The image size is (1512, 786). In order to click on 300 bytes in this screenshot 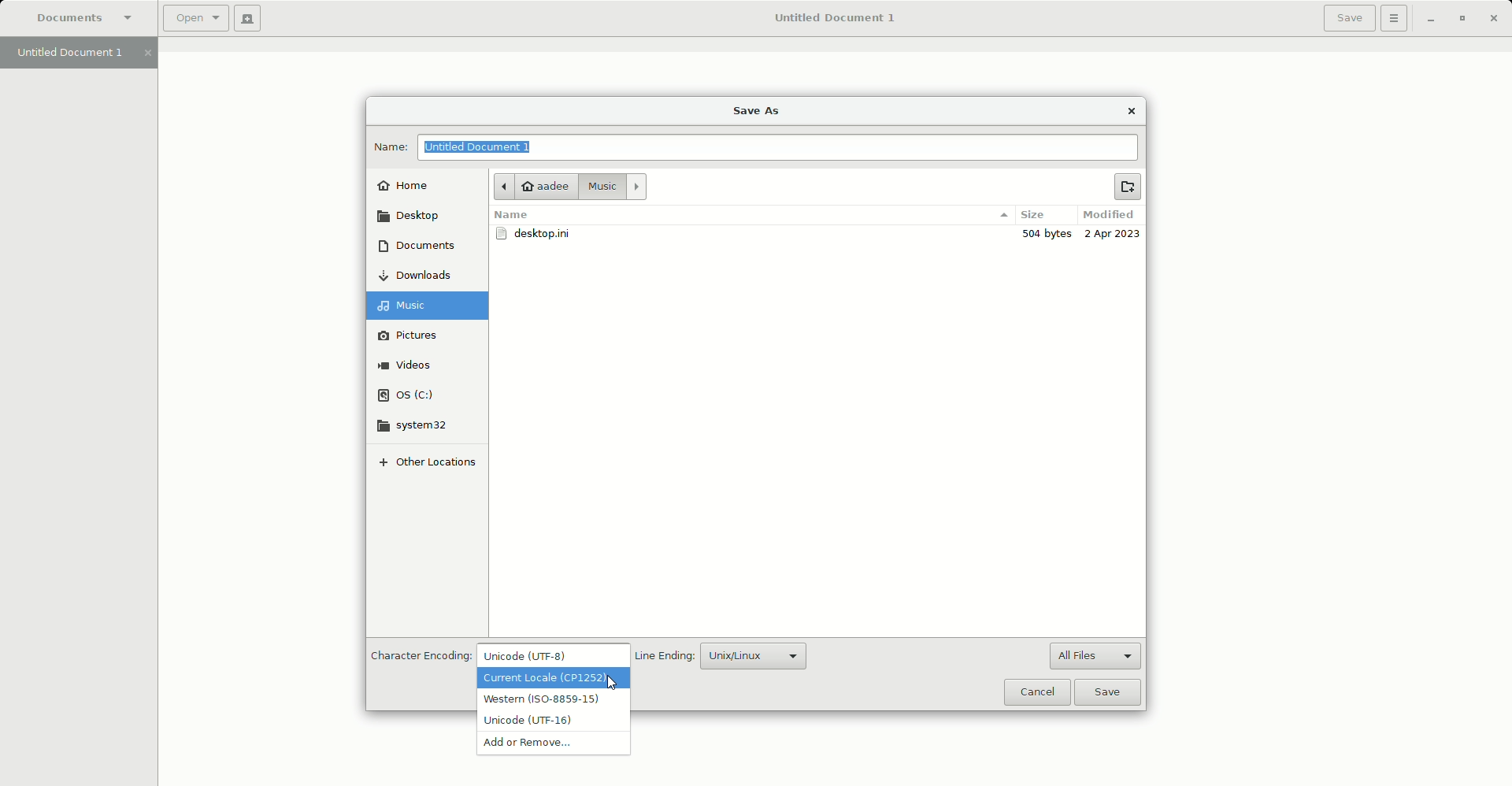, I will do `click(1044, 235)`.